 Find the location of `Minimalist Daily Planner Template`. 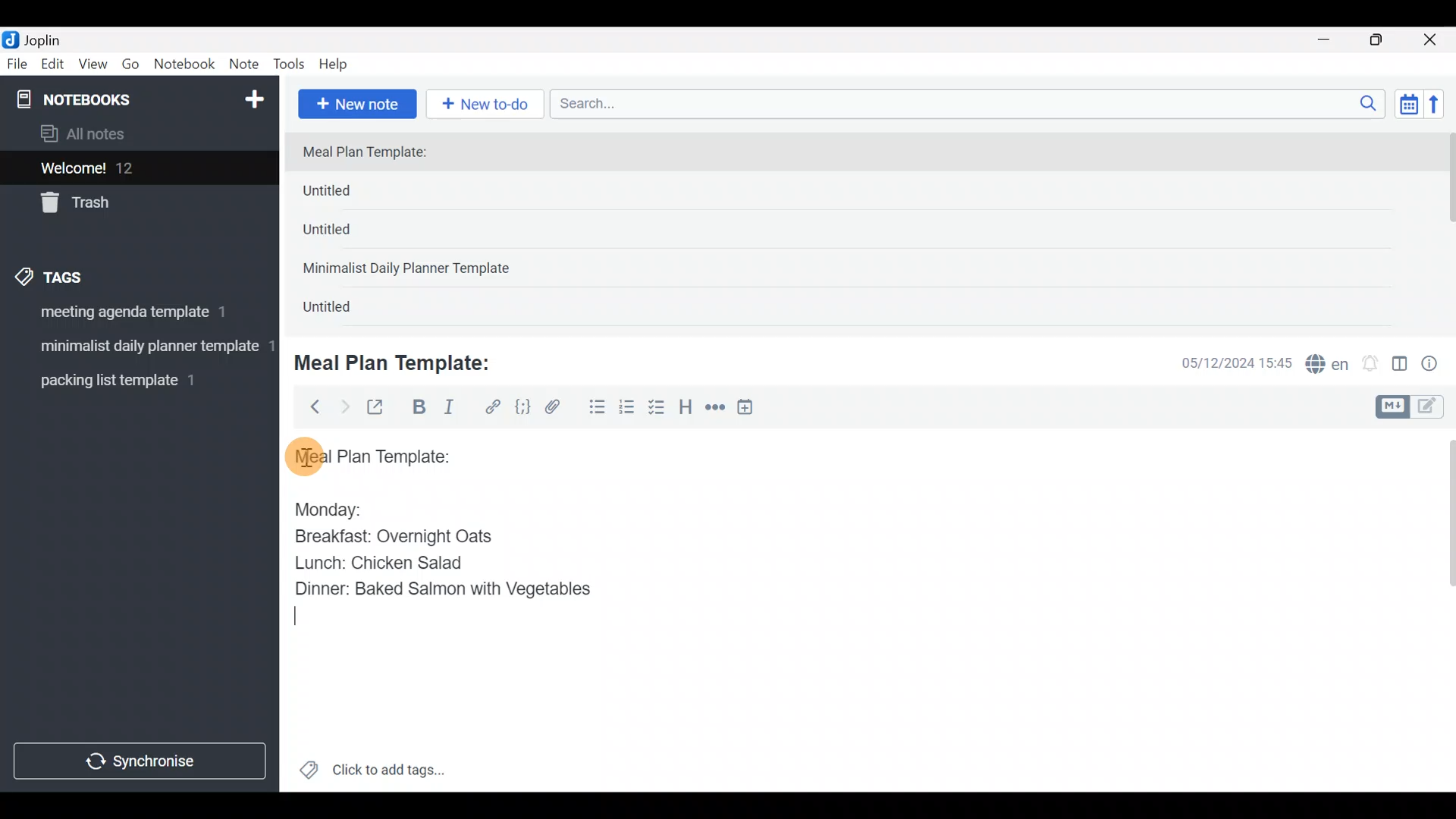

Minimalist Daily Planner Template is located at coordinates (411, 270).